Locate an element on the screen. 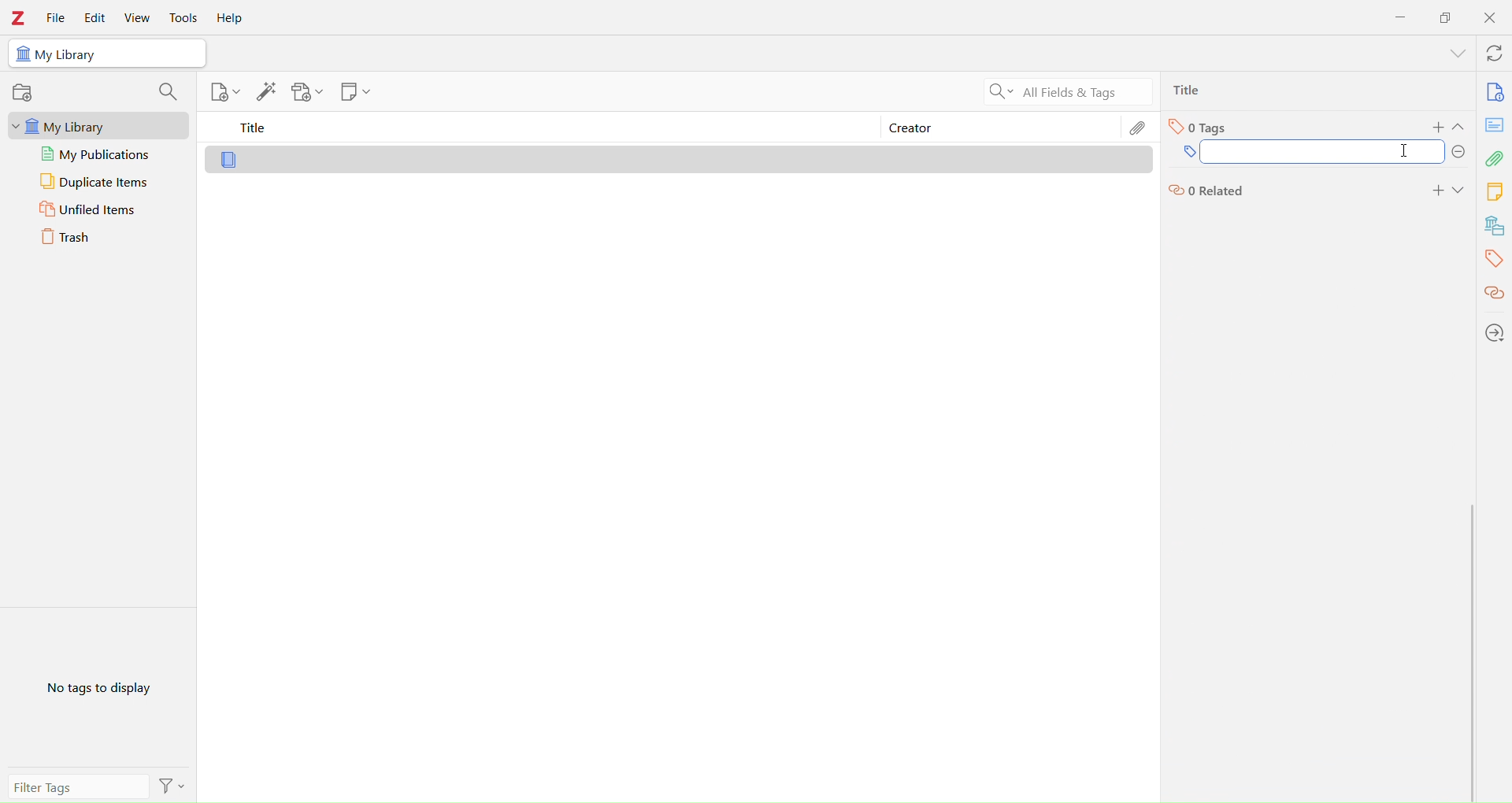  add is located at coordinates (1434, 189).